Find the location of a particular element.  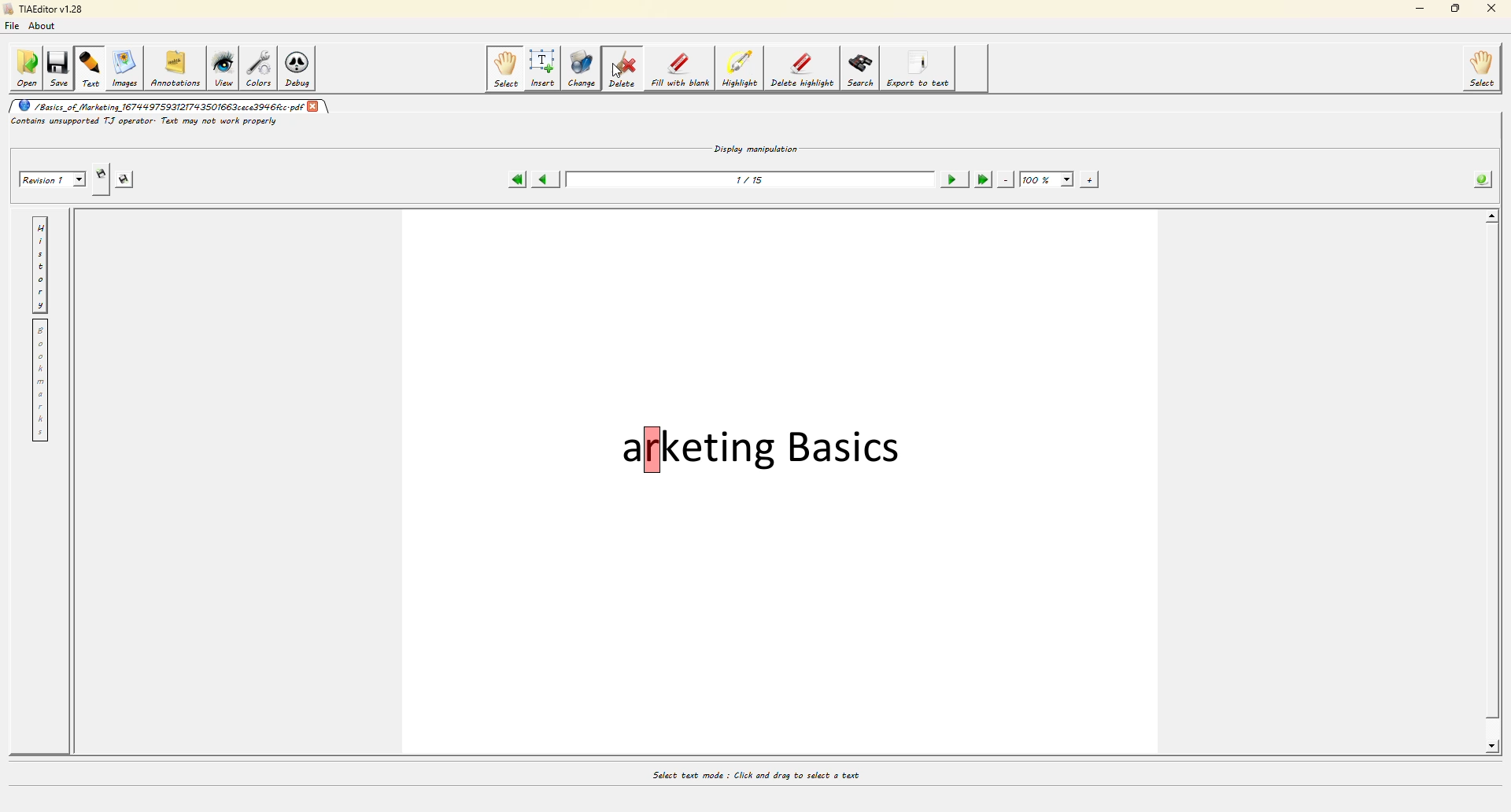

display manipulation is located at coordinates (756, 145).